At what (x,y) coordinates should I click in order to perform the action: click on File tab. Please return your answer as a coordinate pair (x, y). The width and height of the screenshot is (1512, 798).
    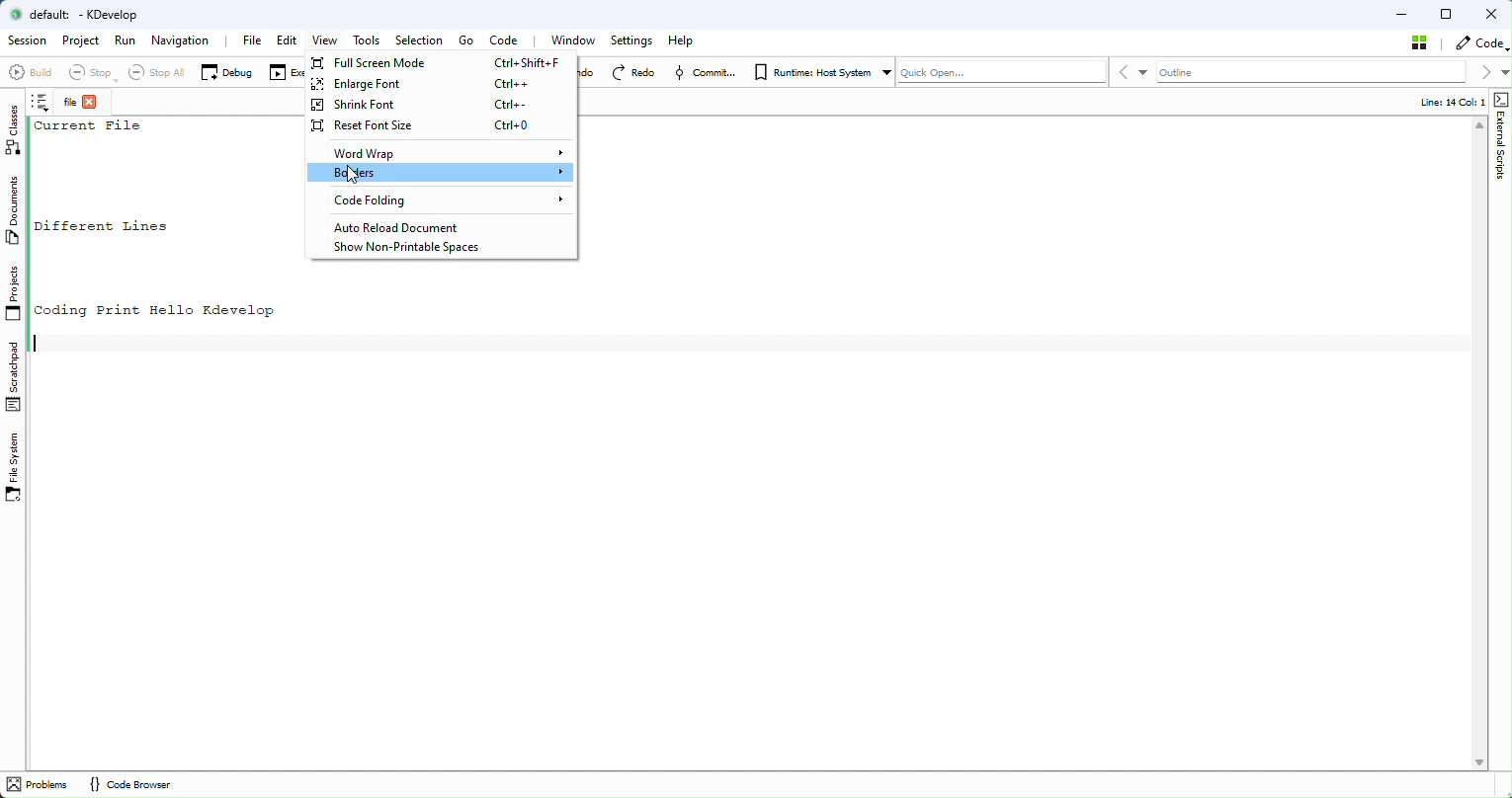
    Looking at the image, I should click on (83, 104).